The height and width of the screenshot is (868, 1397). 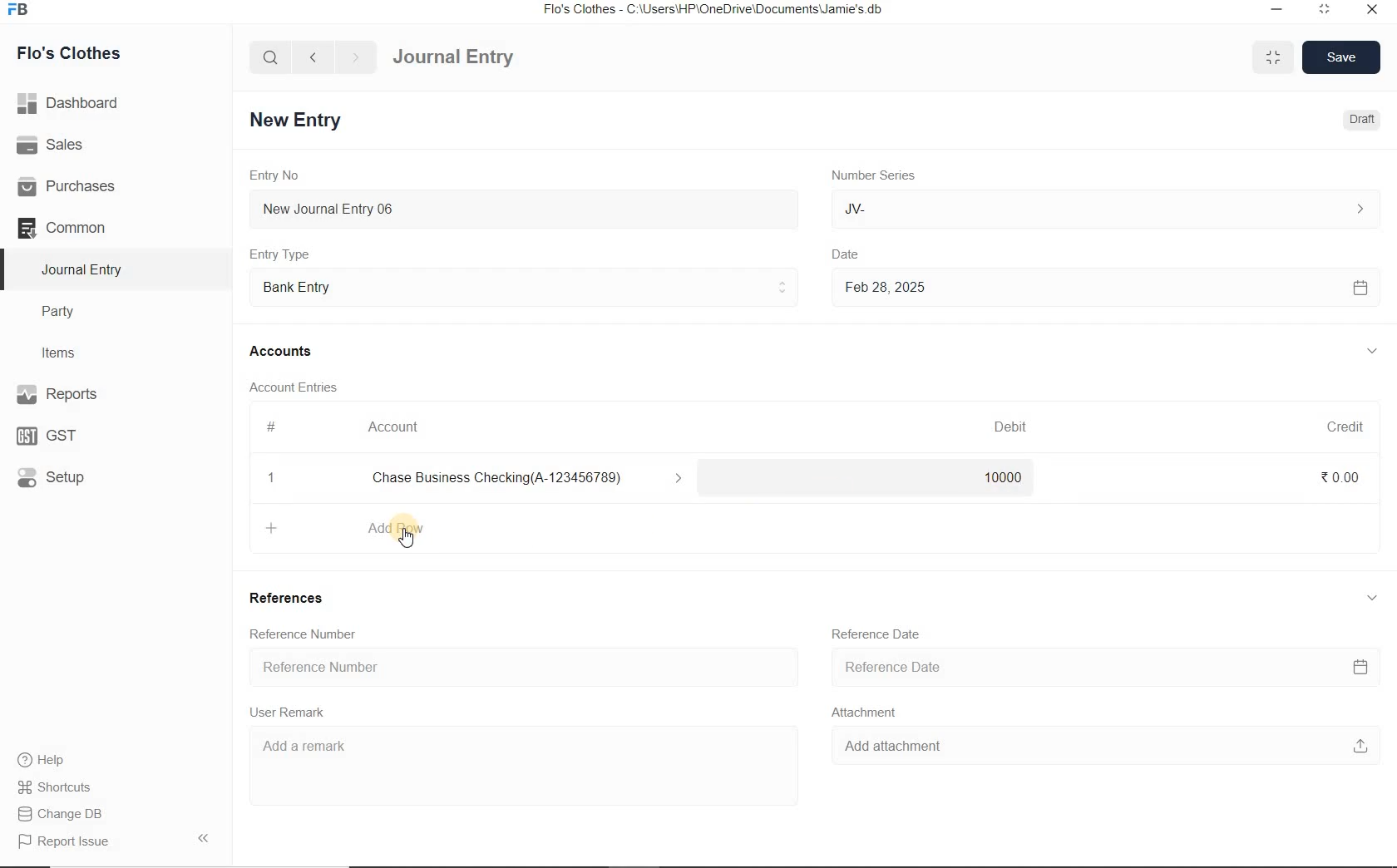 I want to click on forward, so click(x=357, y=57).